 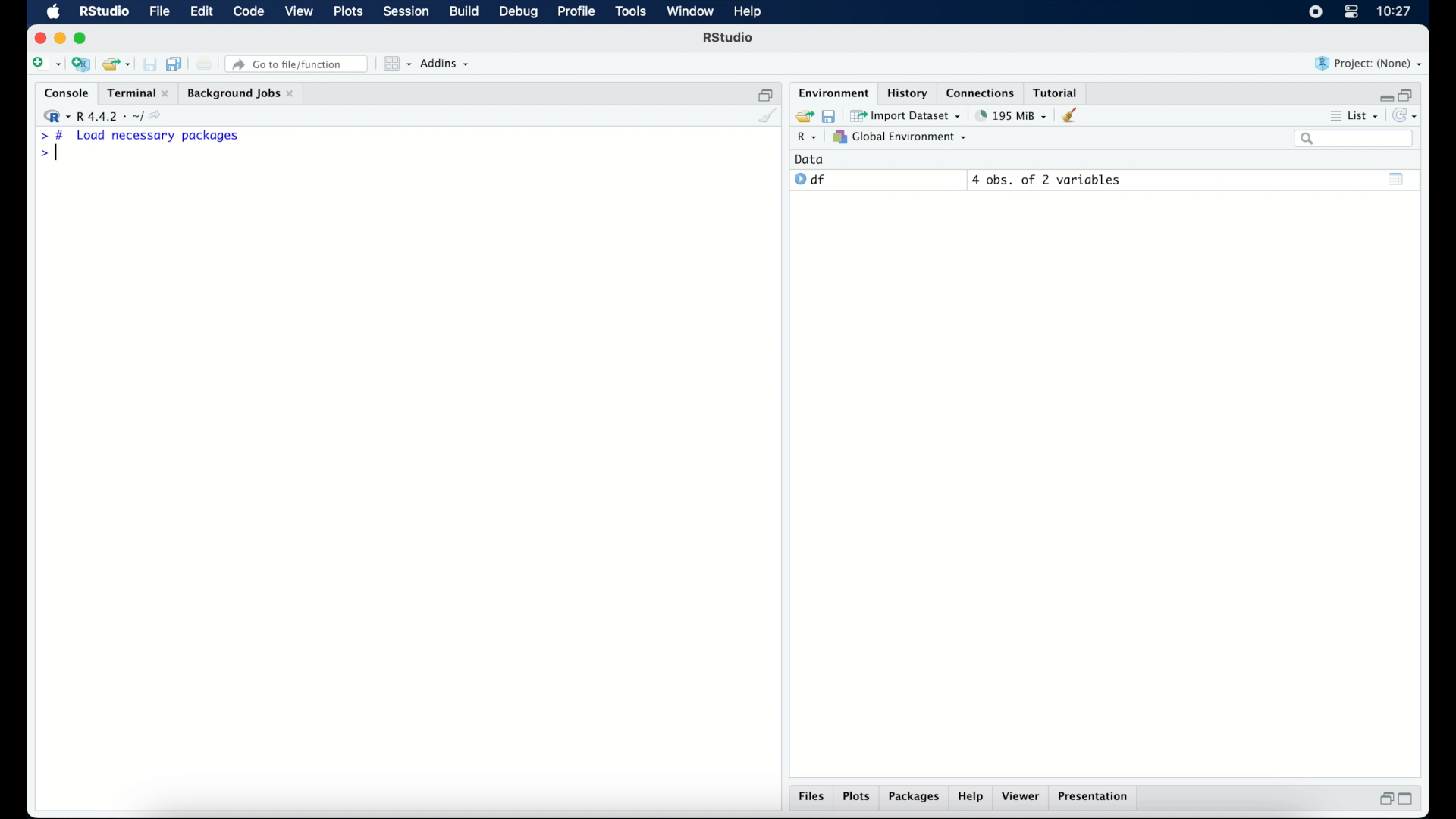 What do you see at coordinates (1314, 12) in the screenshot?
I see `screen recorder icon` at bounding box center [1314, 12].